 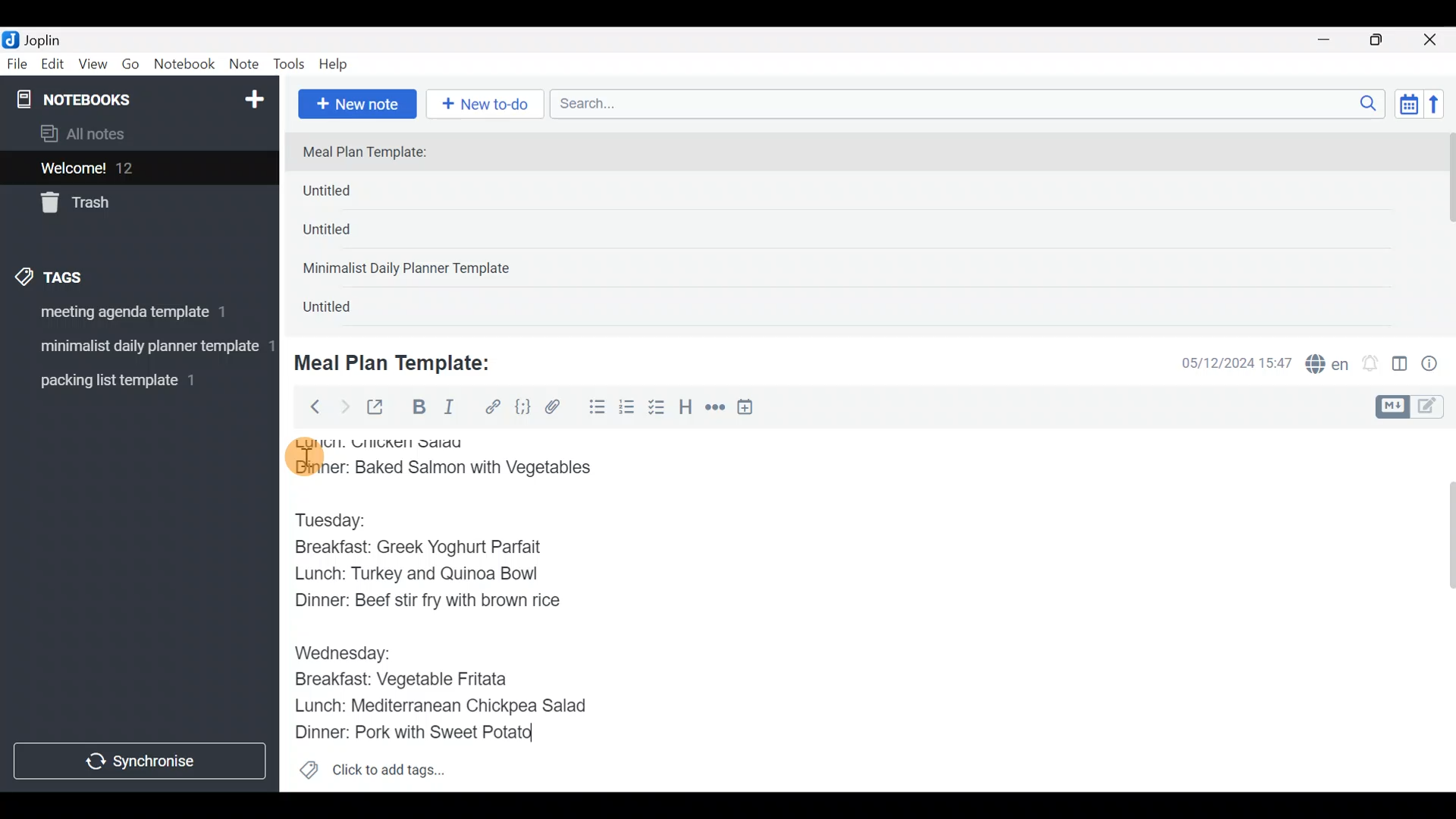 What do you see at coordinates (554, 737) in the screenshot?
I see `text Cursor` at bounding box center [554, 737].